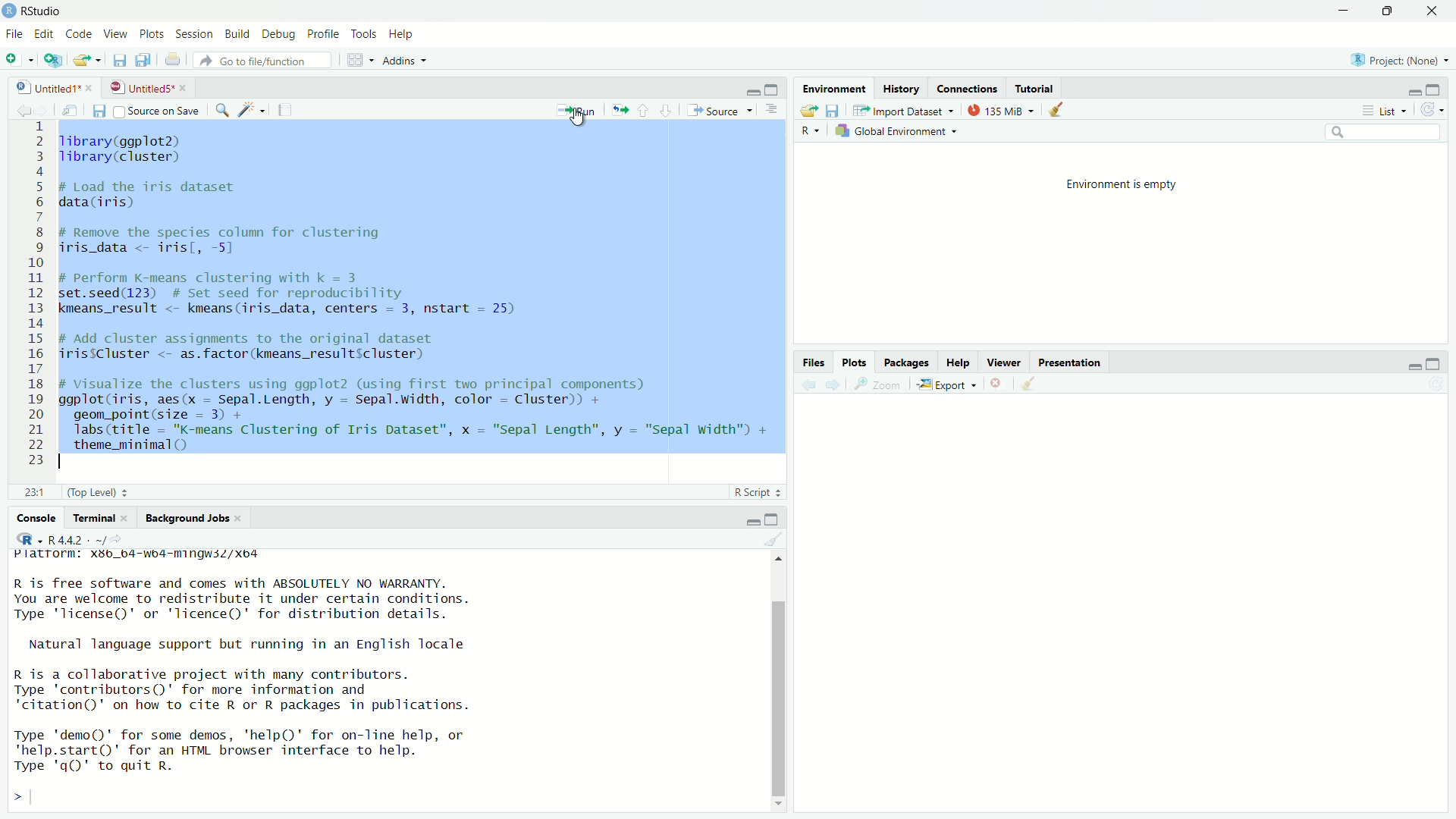 This screenshot has height=819, width=1456. What do you see at coordinates (187, 87) in the screenshot?
I see `close` at bounding box center [187, 87].